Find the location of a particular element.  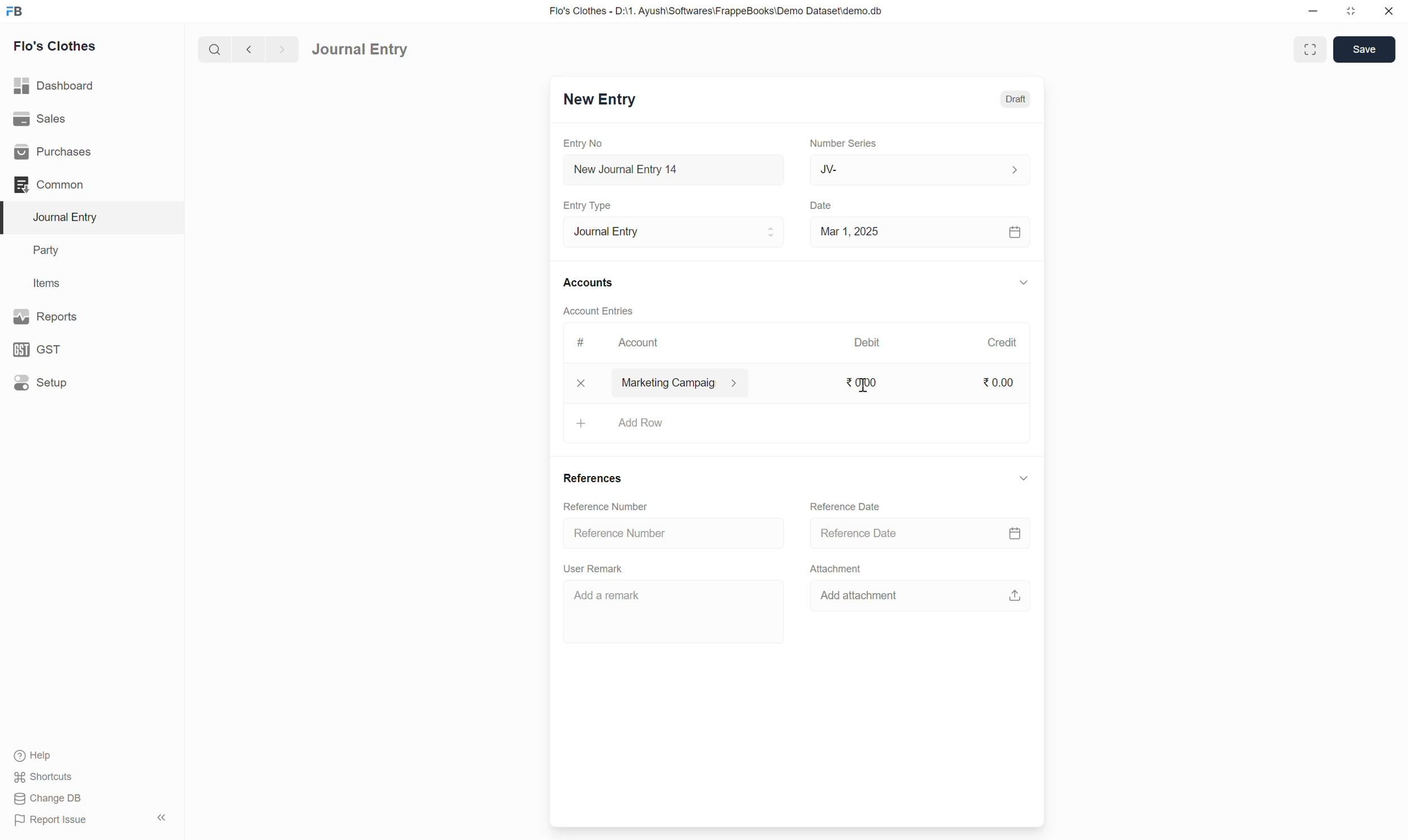

Add a remark is located at coordinates (604, 595).